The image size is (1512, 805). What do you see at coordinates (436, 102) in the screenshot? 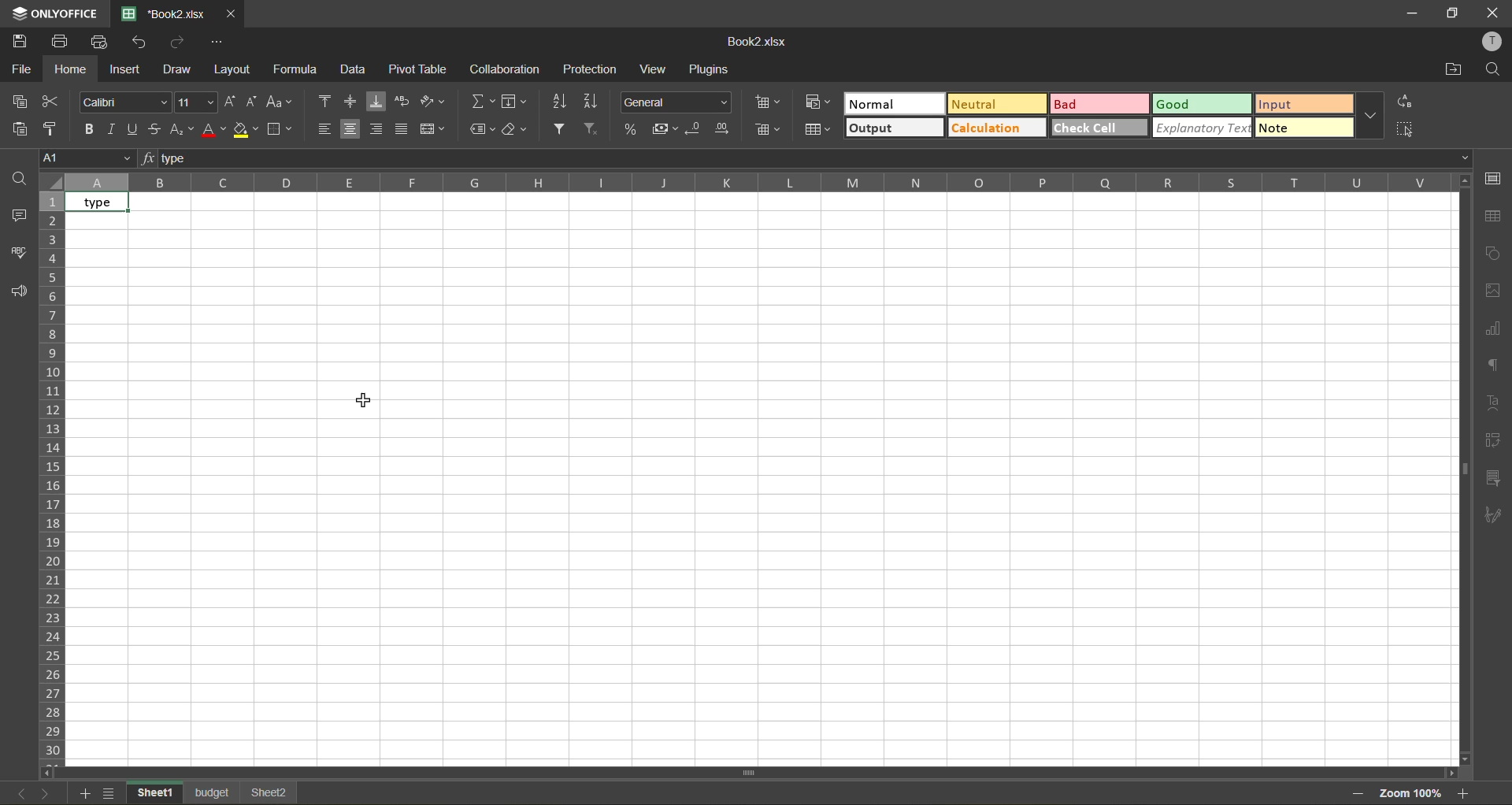
I see `orientation` at bounding box center [436, 102].